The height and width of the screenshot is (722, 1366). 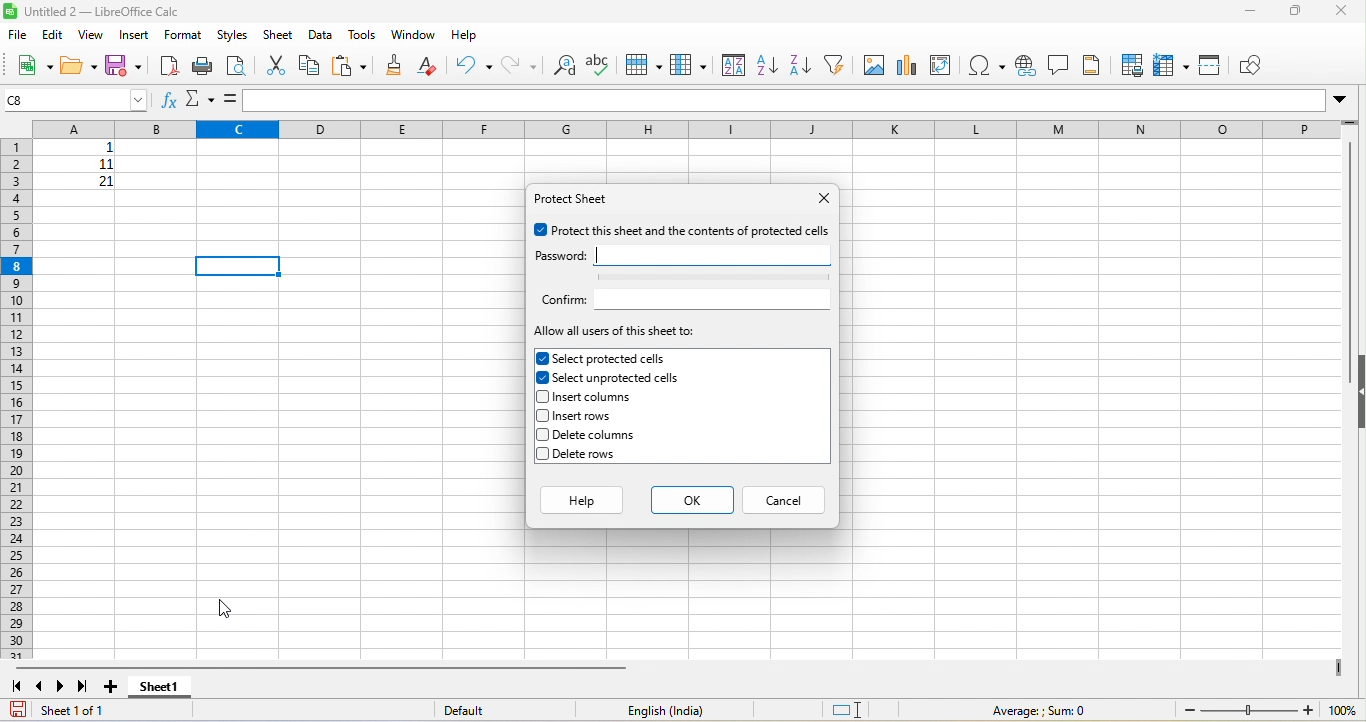 I want to click on format, so click(x=184, y=36).